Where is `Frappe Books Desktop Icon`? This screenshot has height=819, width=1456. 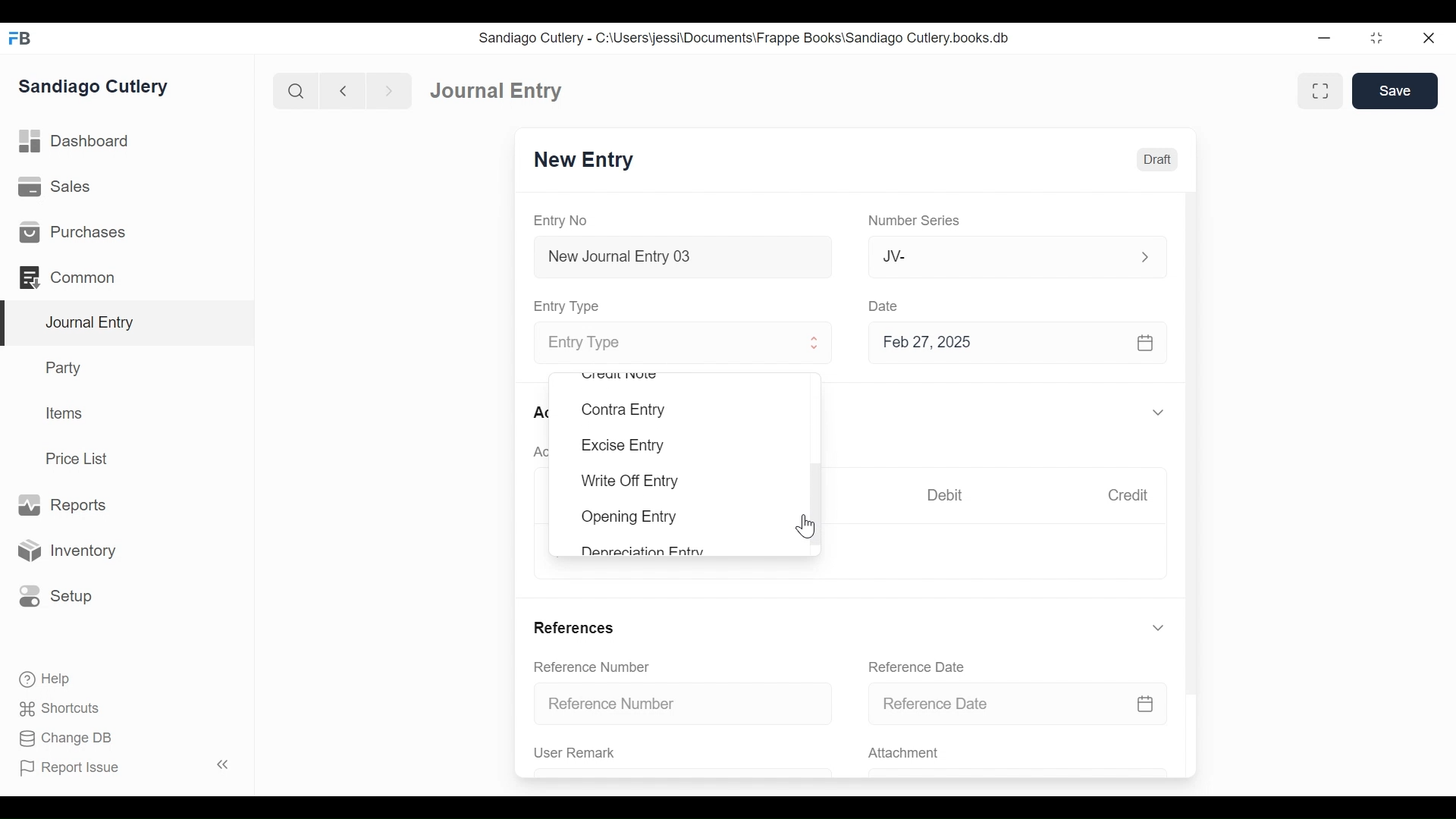 Frappe Books Desktop Icon is located at coordinates (20, 39).